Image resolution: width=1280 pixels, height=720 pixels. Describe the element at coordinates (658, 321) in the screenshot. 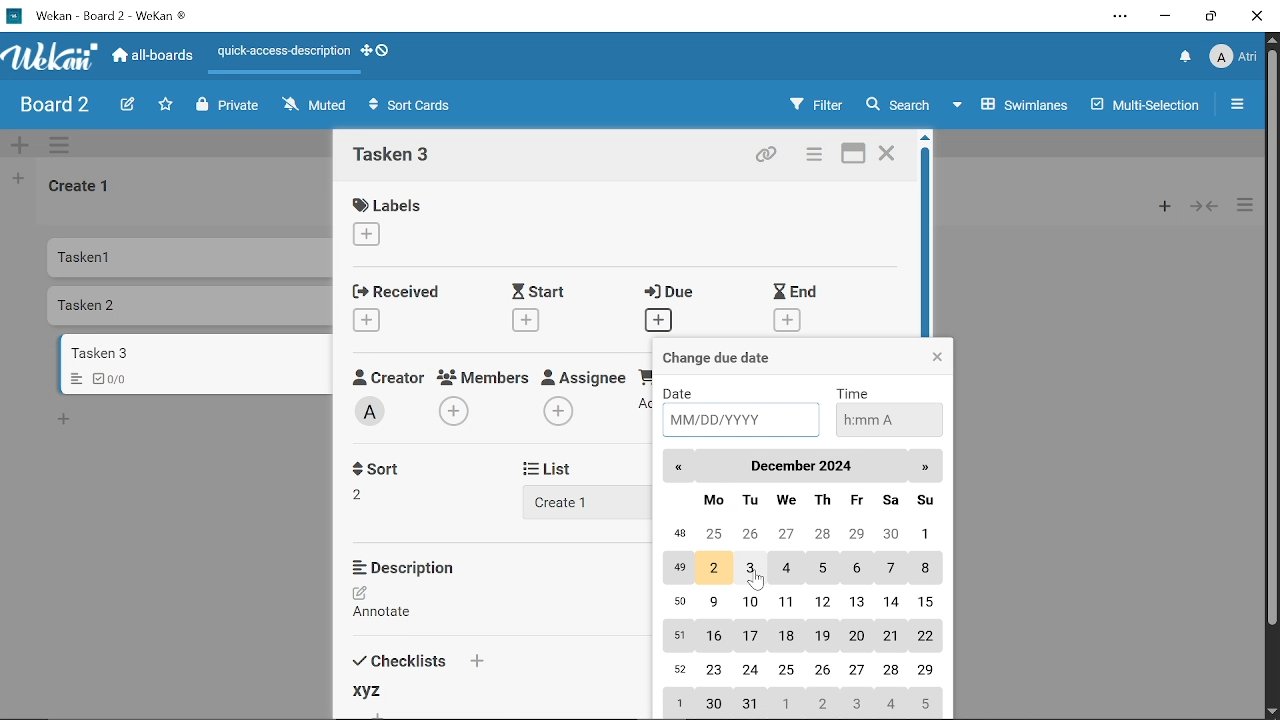

I see `Add due date` at that location.